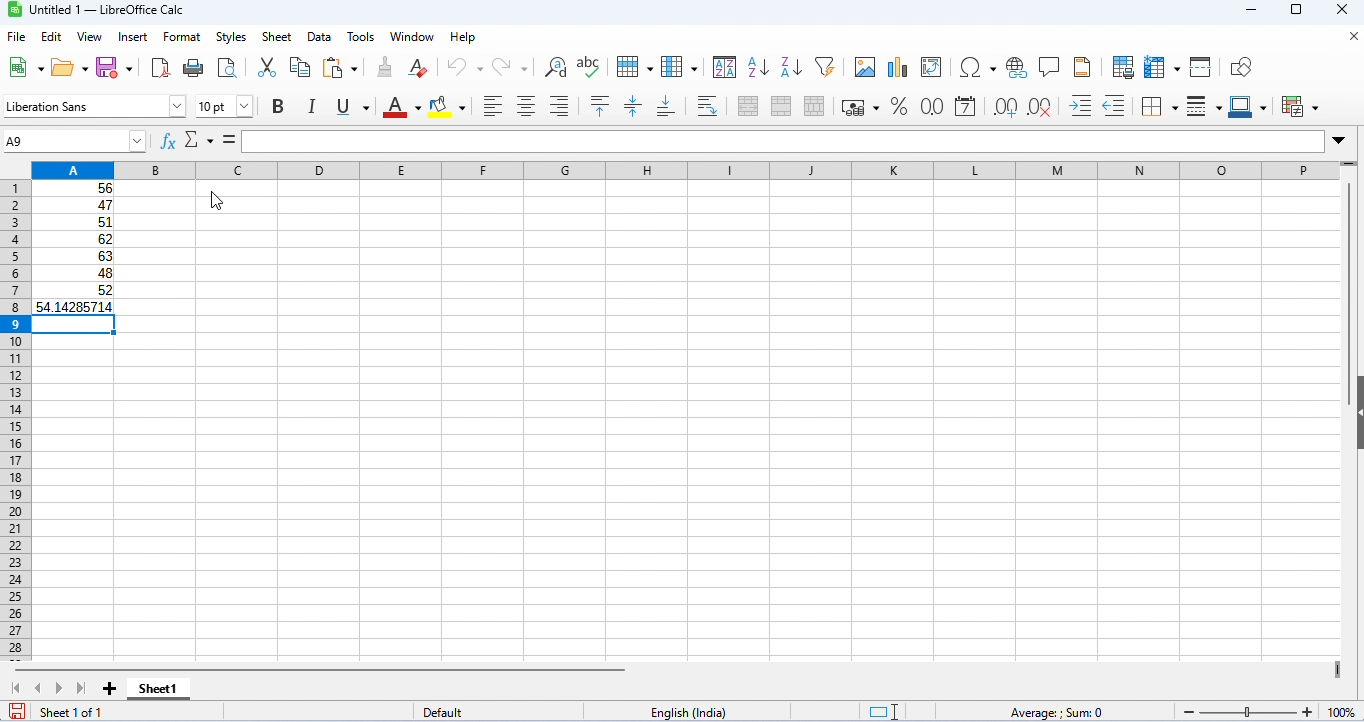 This screenshot has height=722, width=1364. I want to click on add new sheet, so click(110, 690).